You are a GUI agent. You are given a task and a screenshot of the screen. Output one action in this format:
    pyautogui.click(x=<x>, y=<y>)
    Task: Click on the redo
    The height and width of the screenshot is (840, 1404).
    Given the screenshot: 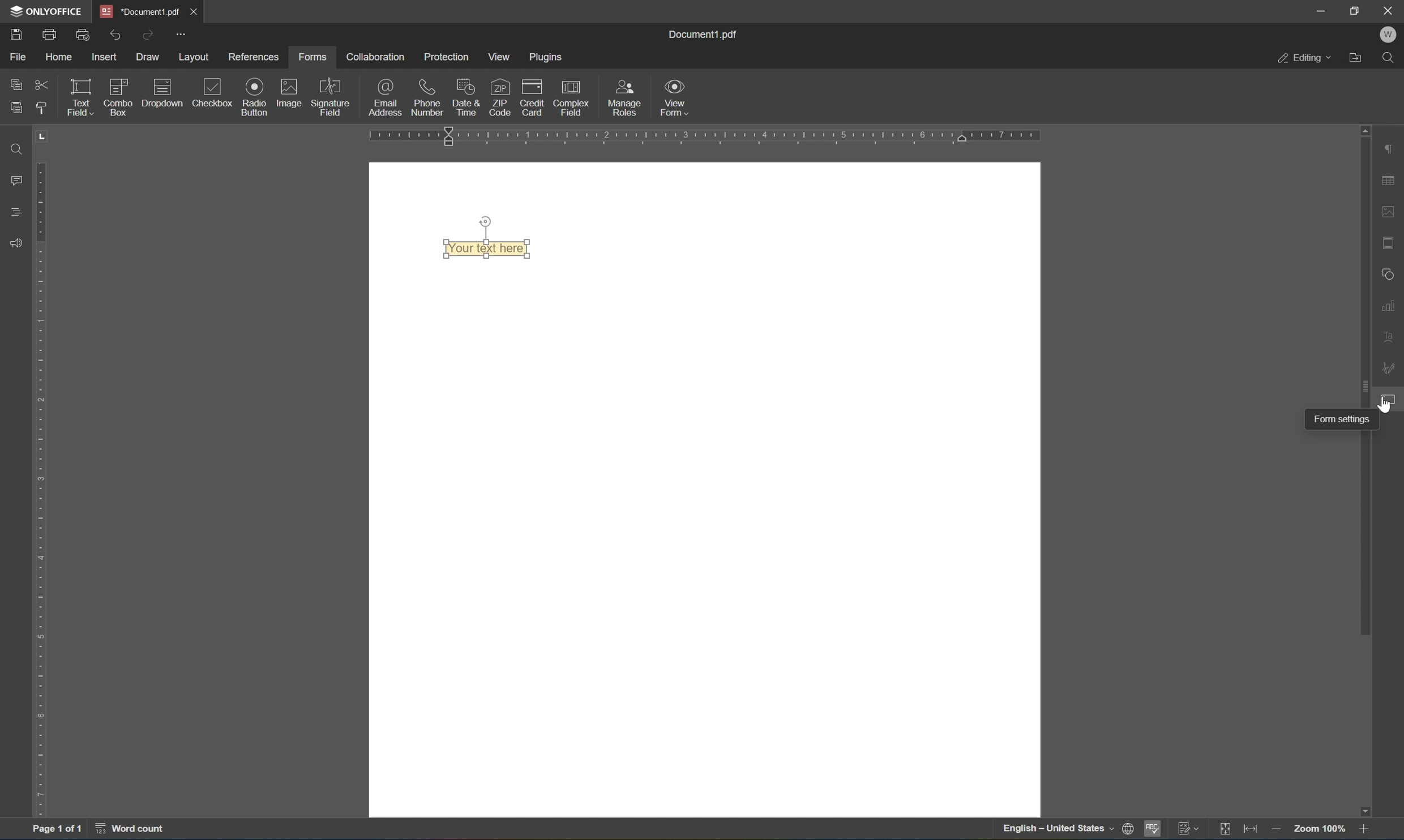 What is the action you would take?
    pyautogui.click(x=148, y=35)
    